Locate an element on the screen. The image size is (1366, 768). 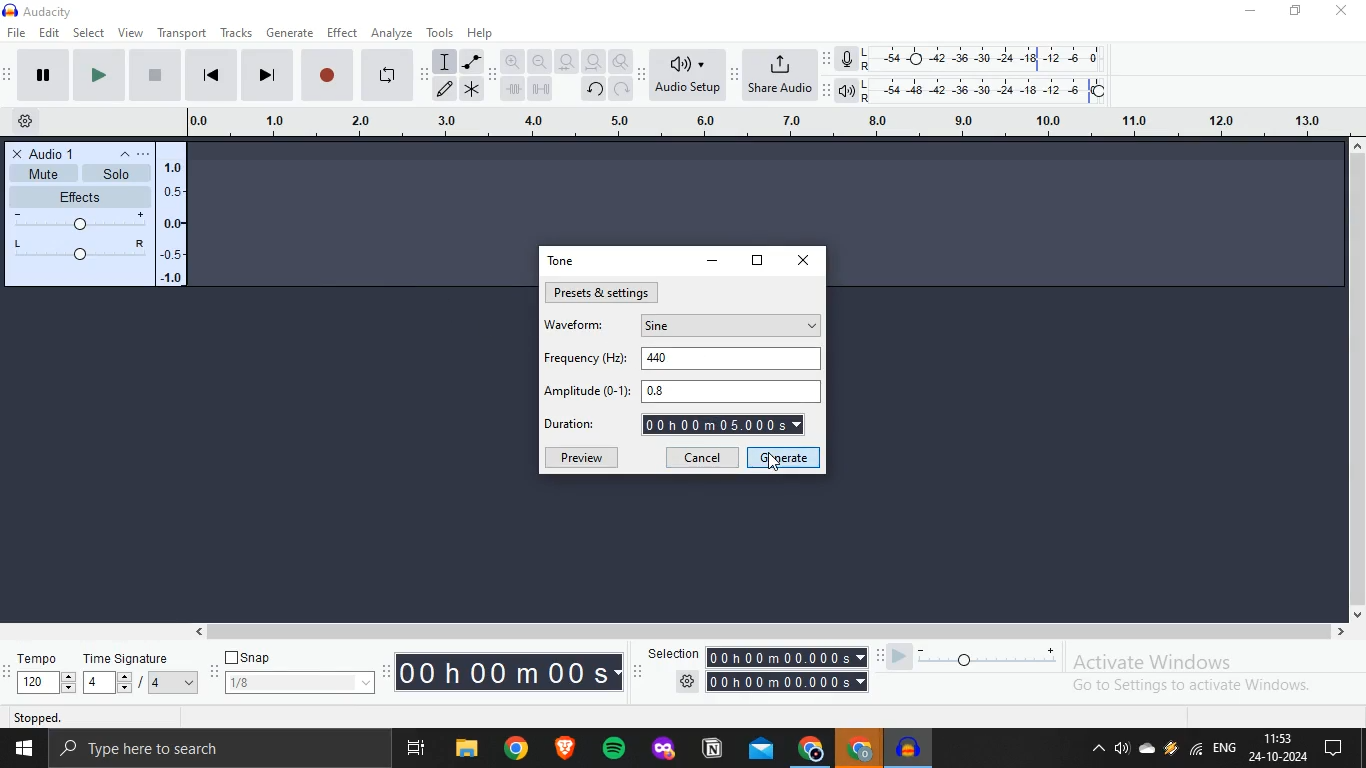
File is located at coordinates (466, 748).